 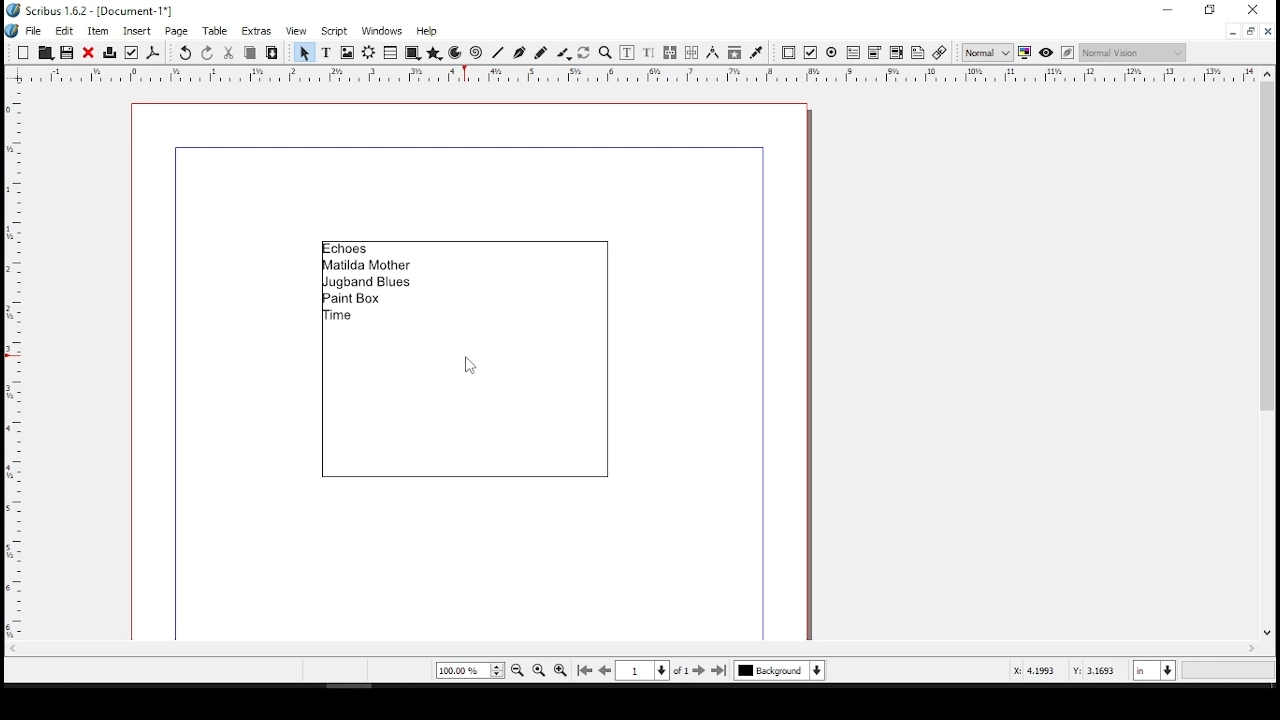 What do you see at coordinates (411, 52) in the screenshot?
I see `shape` at bounding box center [411, 52].